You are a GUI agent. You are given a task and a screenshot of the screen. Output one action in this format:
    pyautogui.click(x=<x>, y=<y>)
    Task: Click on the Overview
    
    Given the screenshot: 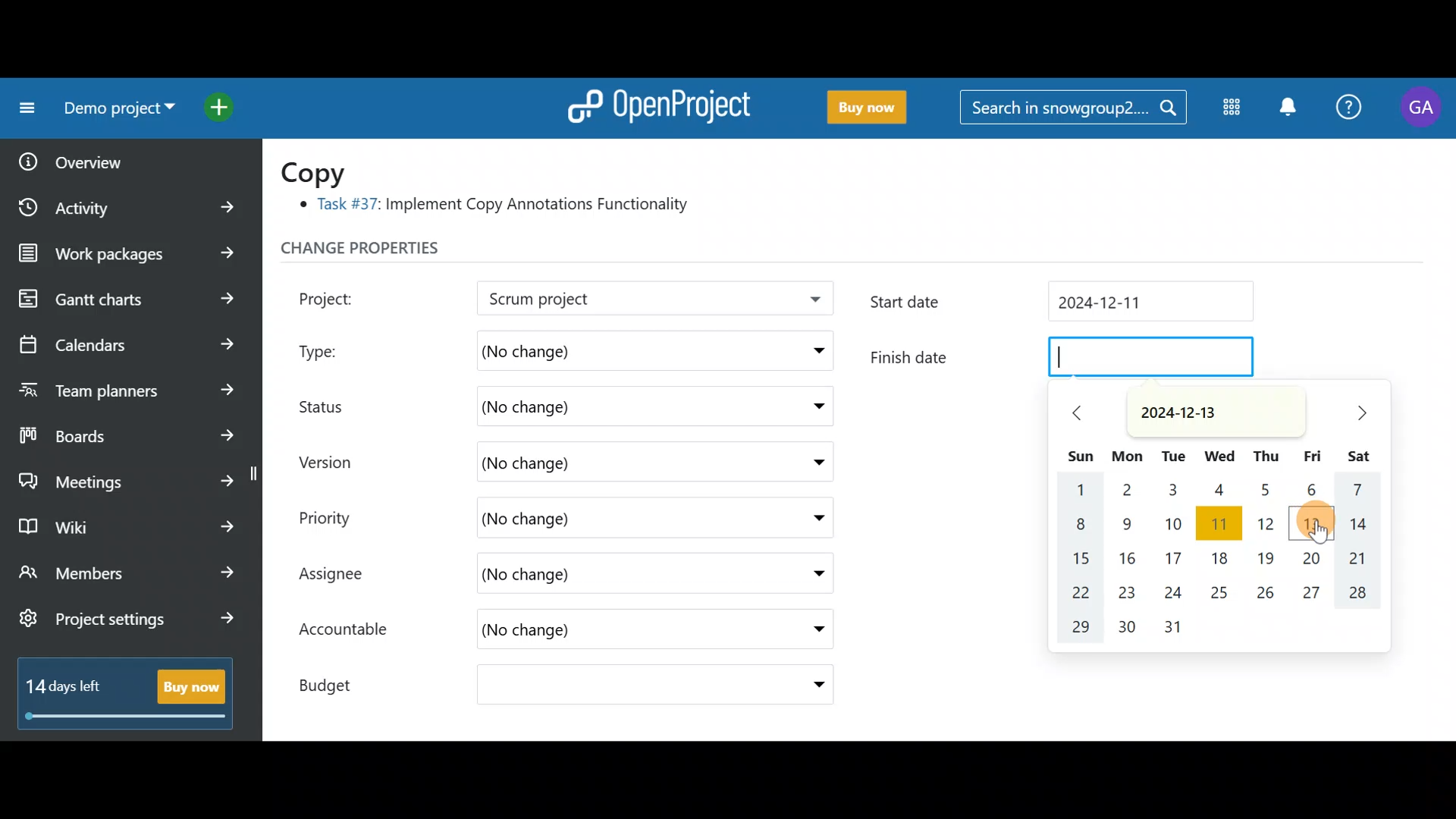 What is the action you would take?
    pyautogui.click(x=115, y=157)
    